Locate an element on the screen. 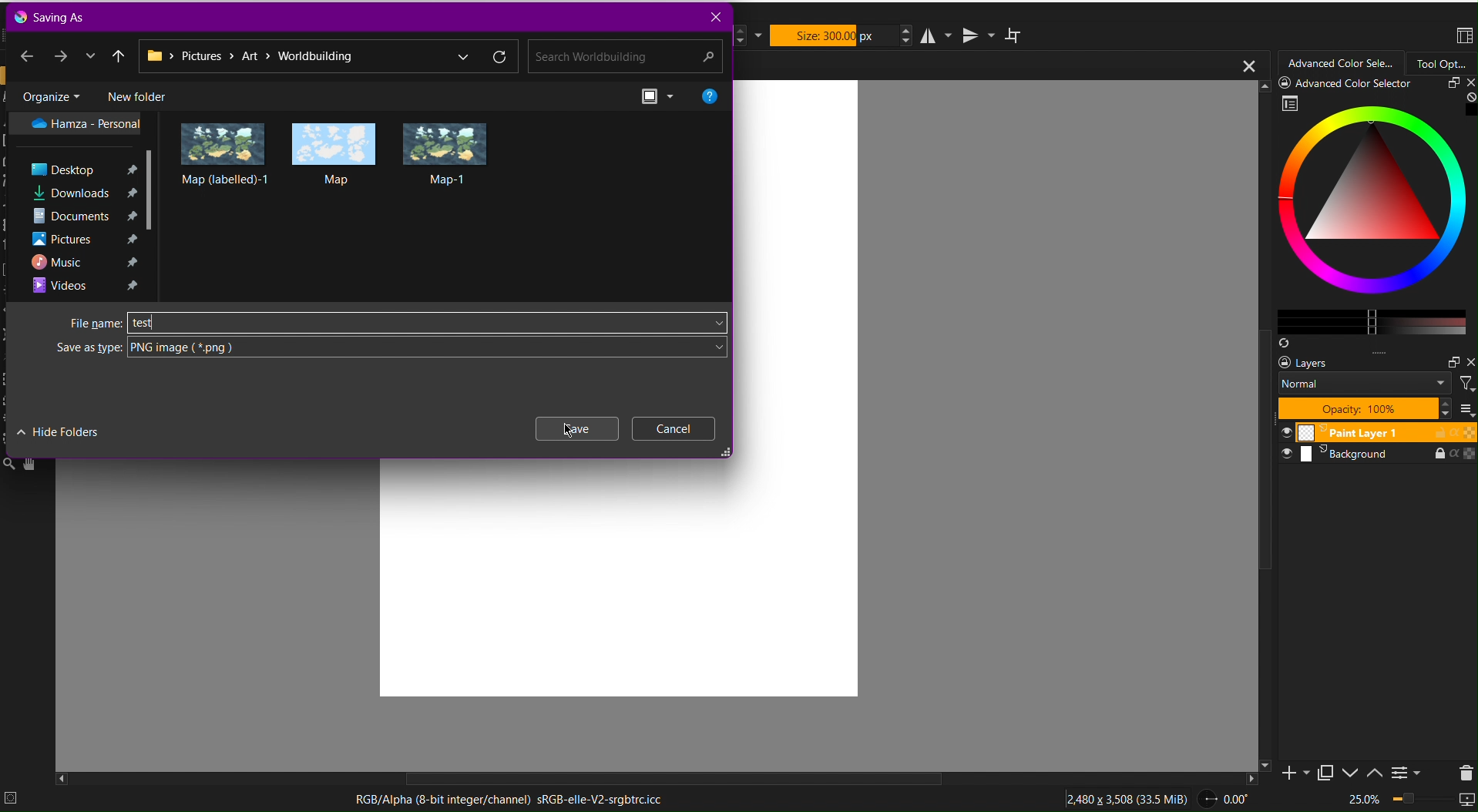 Image resolution: width=1478 pixels, height=812 pixels. Advanced Color Selector is located at coordinates (1367, 214).